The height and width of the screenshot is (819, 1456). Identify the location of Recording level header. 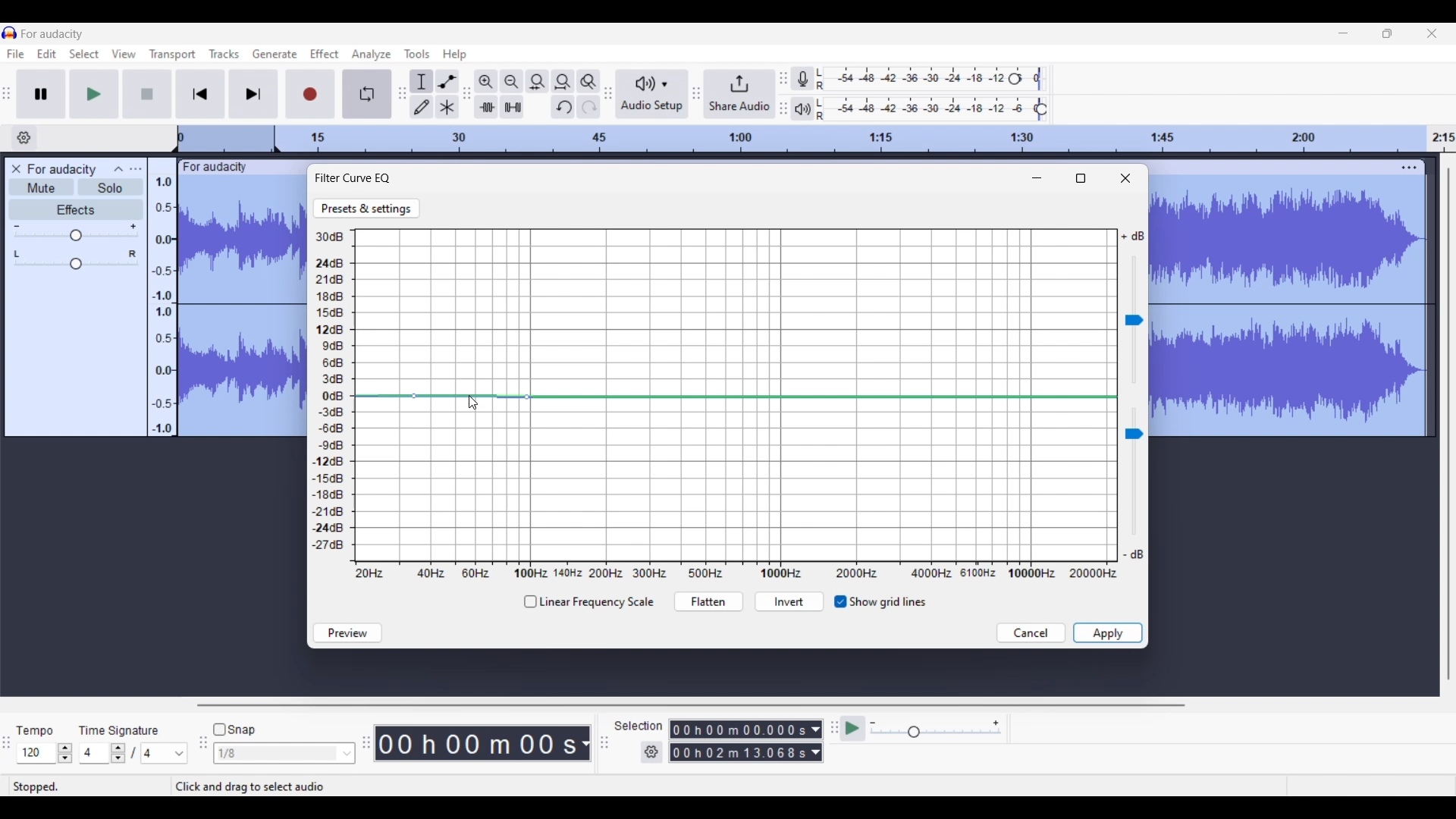
(1015, 79).